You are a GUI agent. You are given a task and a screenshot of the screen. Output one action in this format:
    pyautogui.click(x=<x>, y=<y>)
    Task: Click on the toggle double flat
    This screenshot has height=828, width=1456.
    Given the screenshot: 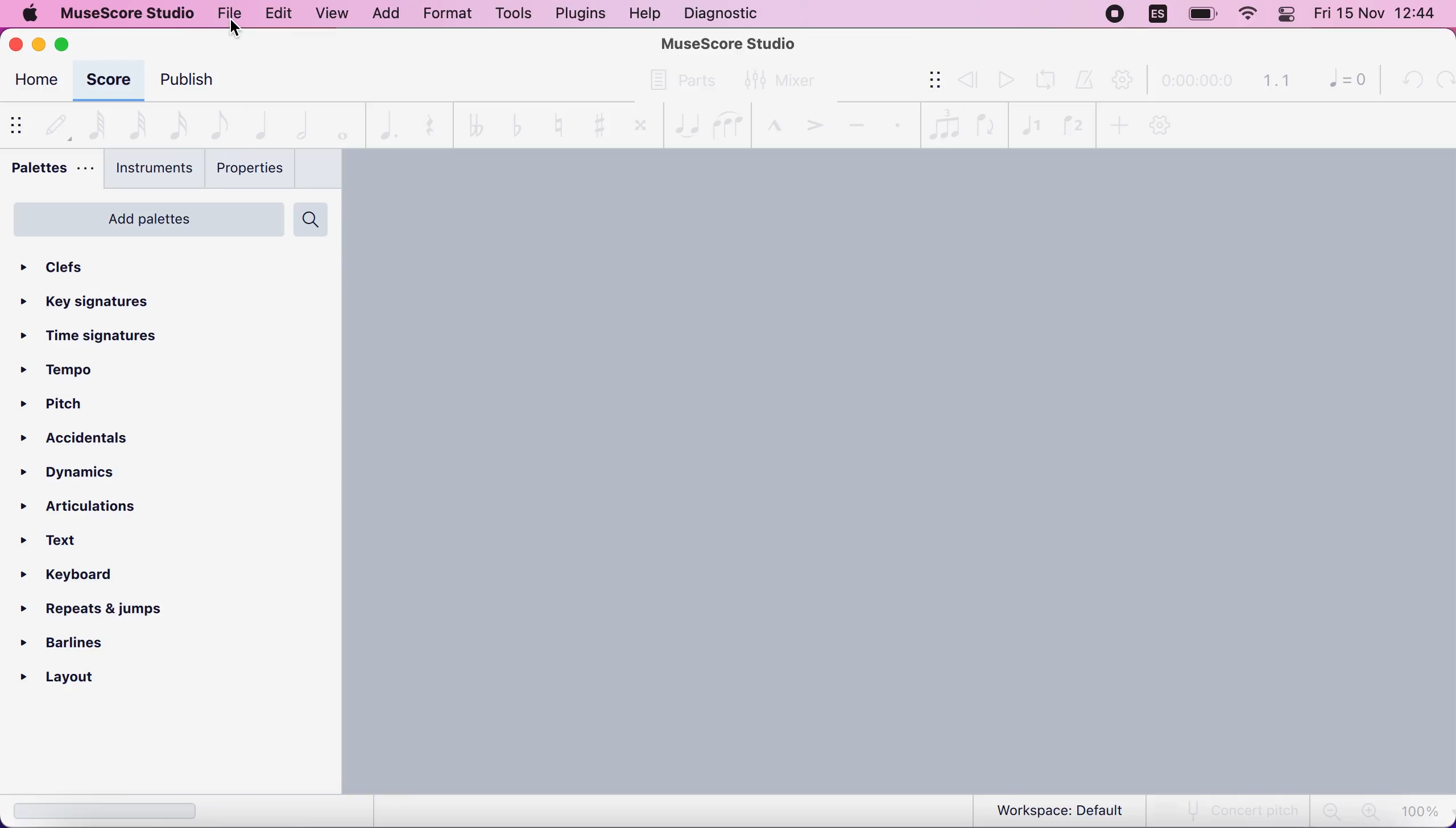 What is the action you would take?
    pyautogui.click(x=470, y=124)
    